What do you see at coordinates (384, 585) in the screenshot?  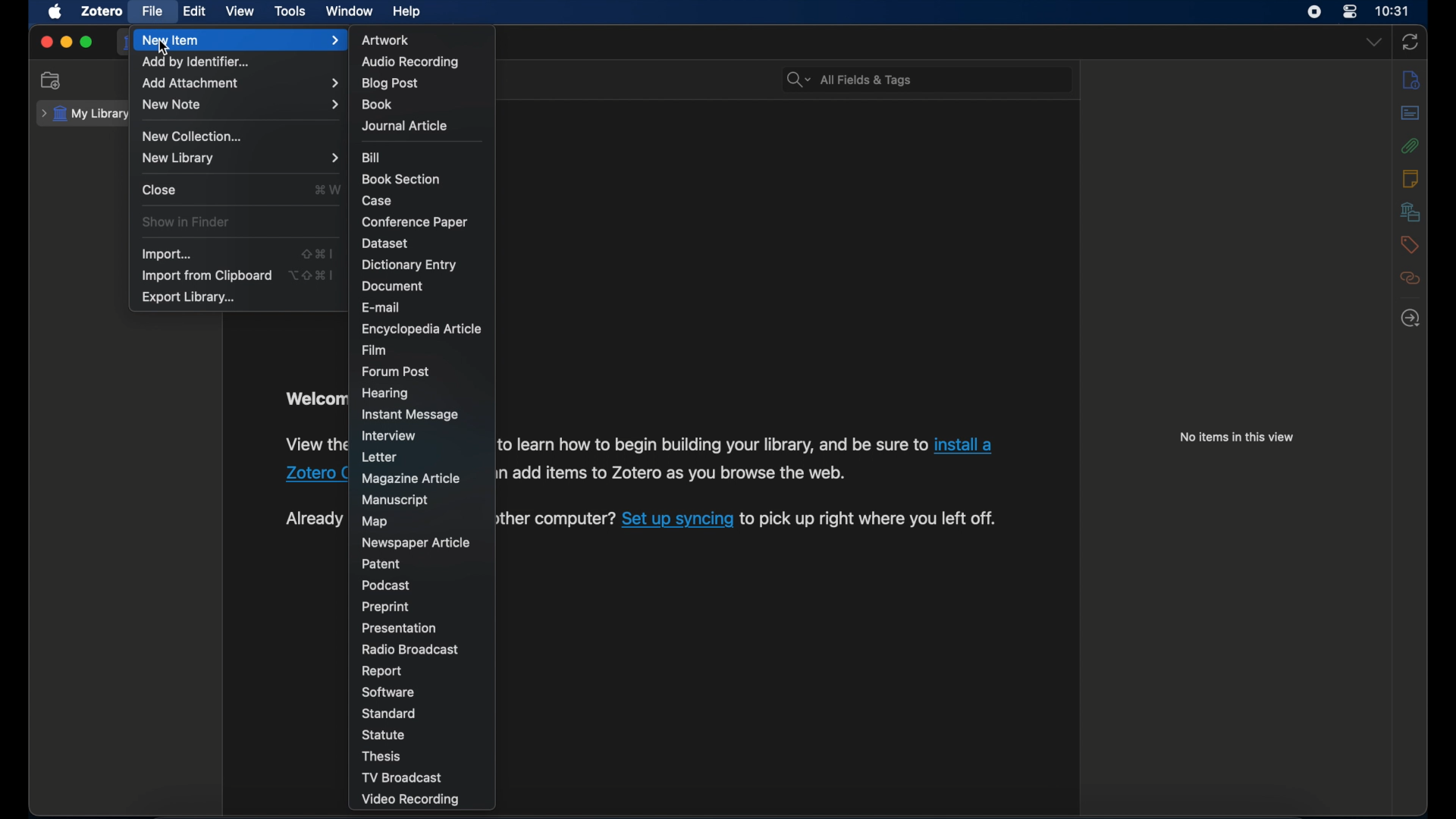 I see `podcast` at bounding box center [384, 585].